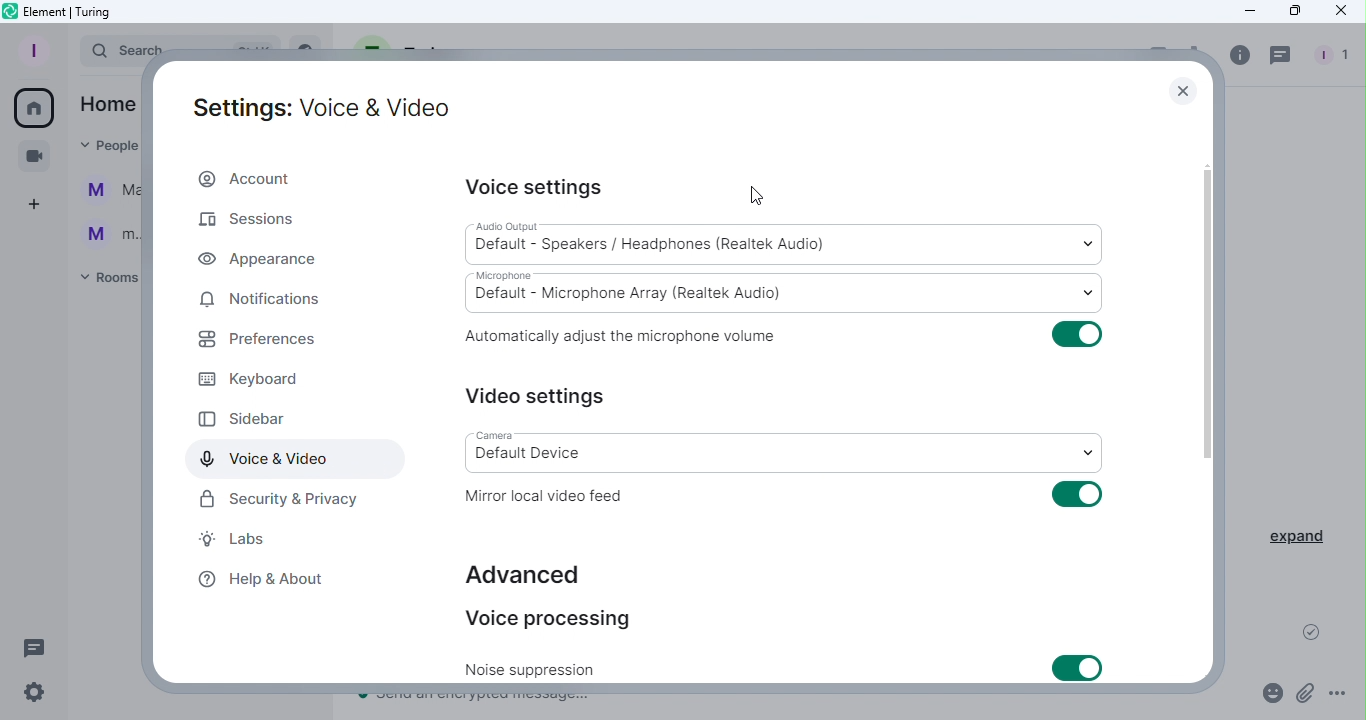 This screenshot has width=1366, height=720. What do you see at coordinates (264, 379) in the screenshot?
I see `Keyboard` at bounding box center [264, 379].